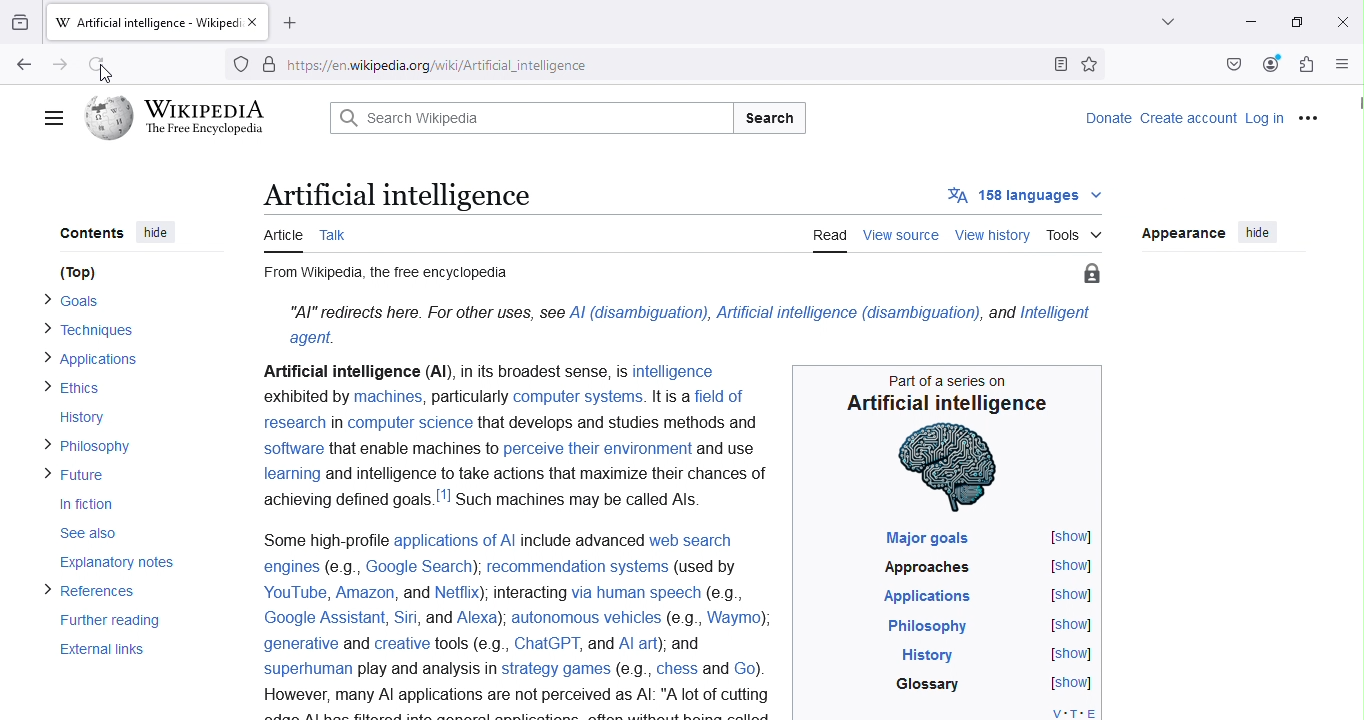 The height and width of the screenshot is (720, 1364). Describe the element at coordinates (116, 565) in the screenshot. I see `Explanatory notes` at that location.